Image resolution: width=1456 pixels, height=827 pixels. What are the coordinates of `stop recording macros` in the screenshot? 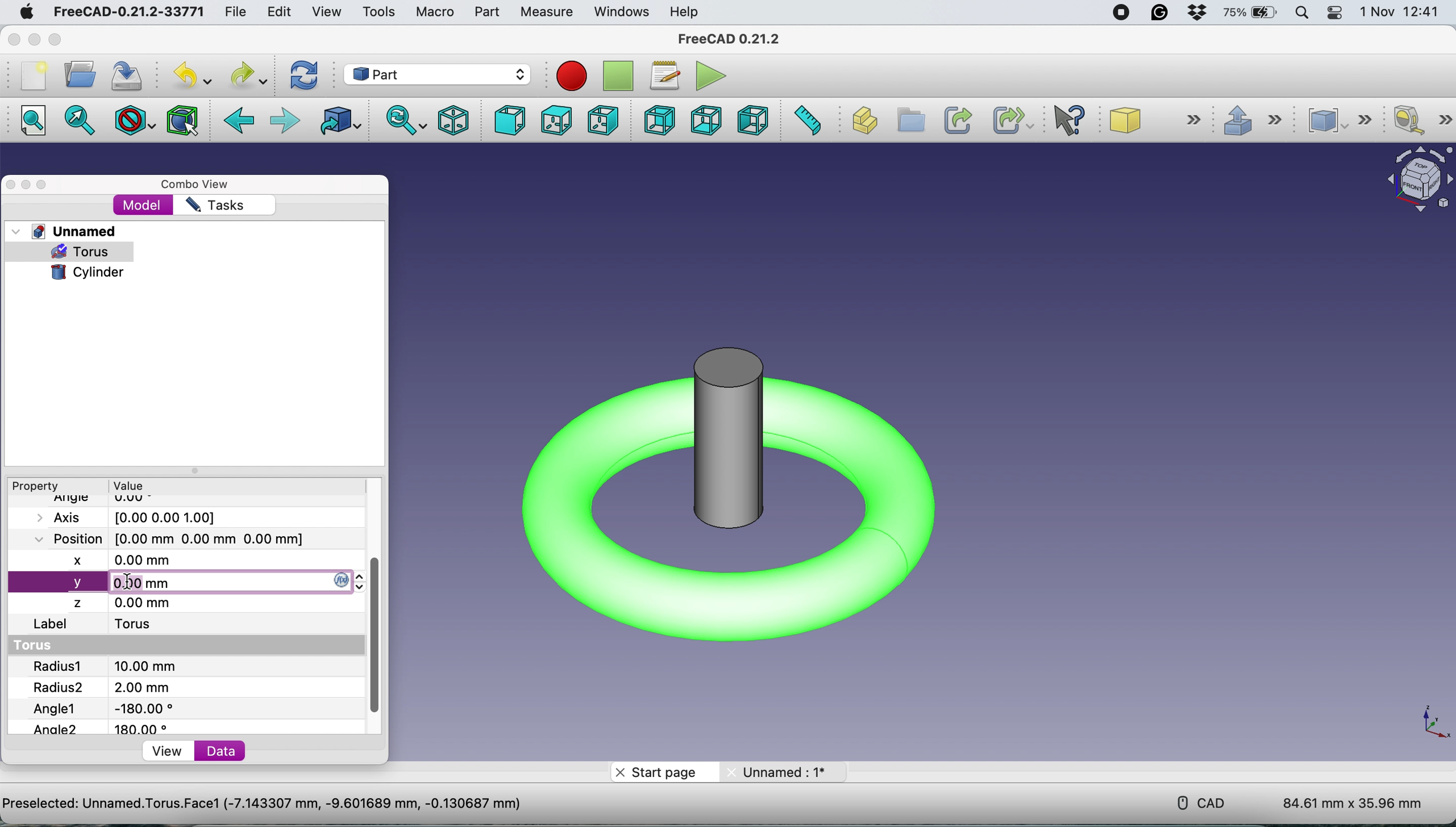 It's located at (618, 76).